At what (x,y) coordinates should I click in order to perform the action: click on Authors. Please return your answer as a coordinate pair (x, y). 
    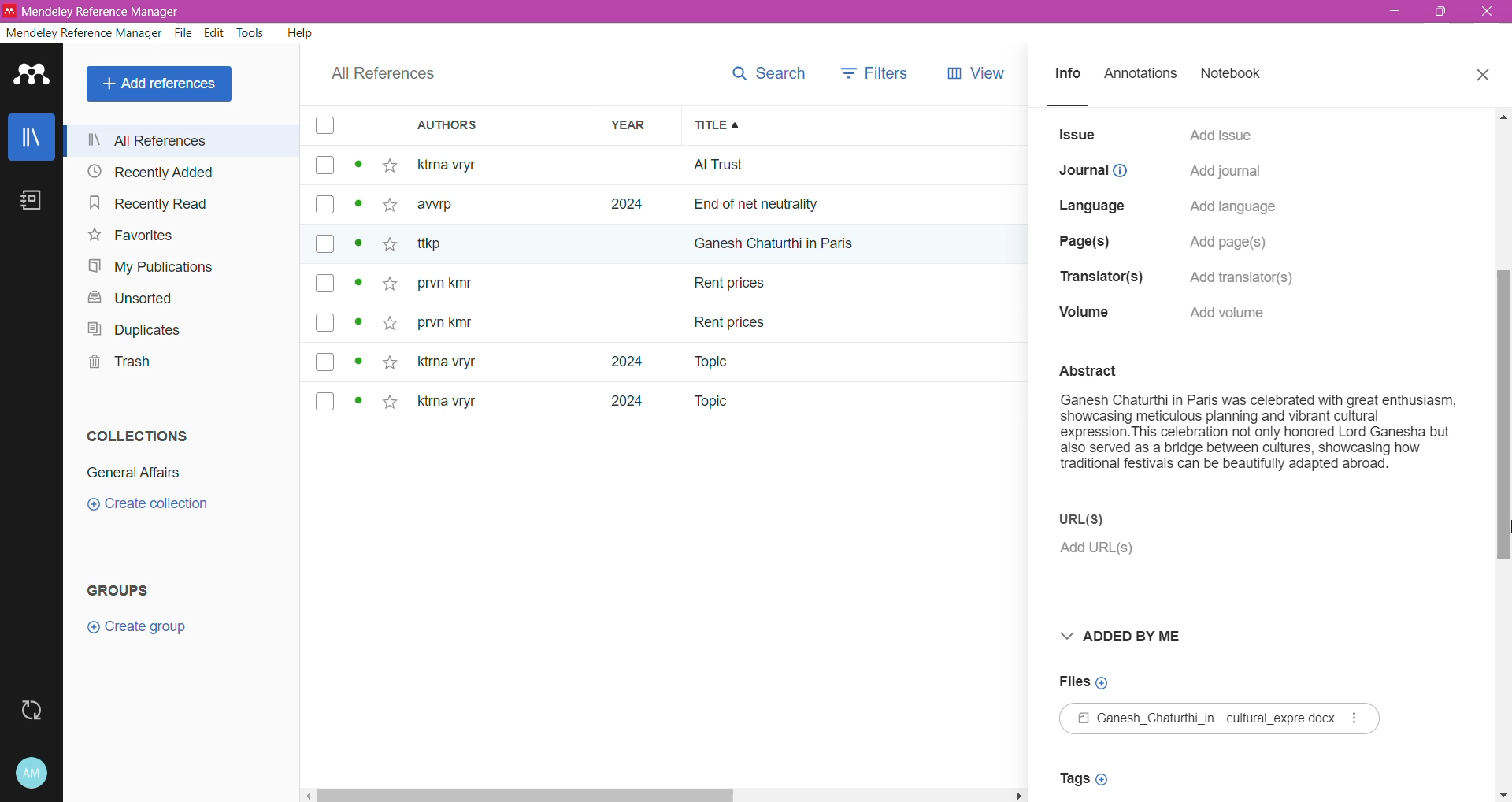
    Looking at the image, I should click on (504, 126).